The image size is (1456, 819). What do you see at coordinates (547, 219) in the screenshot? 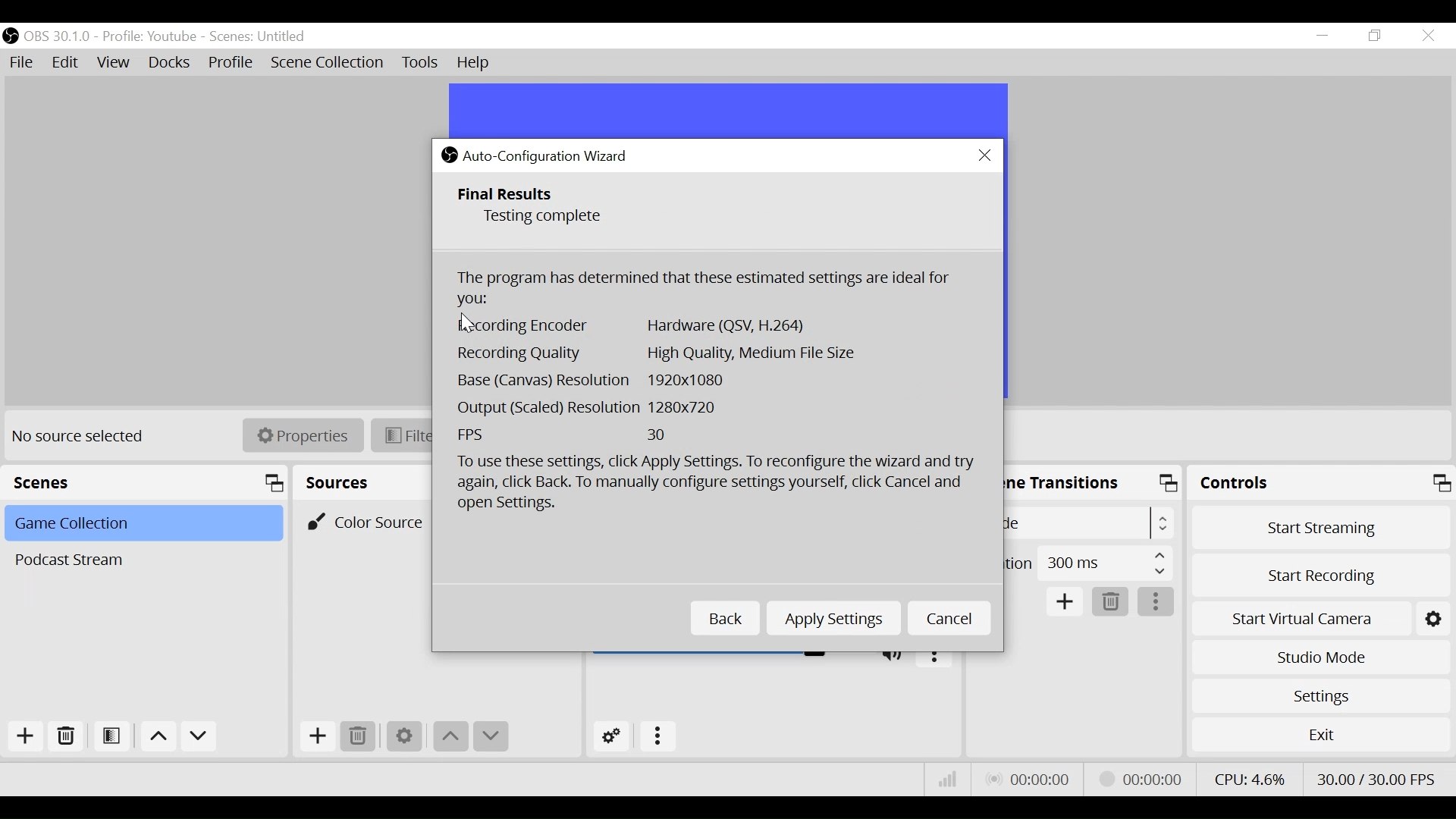
I see `Testing Complete` at bounding box center [547, 219].